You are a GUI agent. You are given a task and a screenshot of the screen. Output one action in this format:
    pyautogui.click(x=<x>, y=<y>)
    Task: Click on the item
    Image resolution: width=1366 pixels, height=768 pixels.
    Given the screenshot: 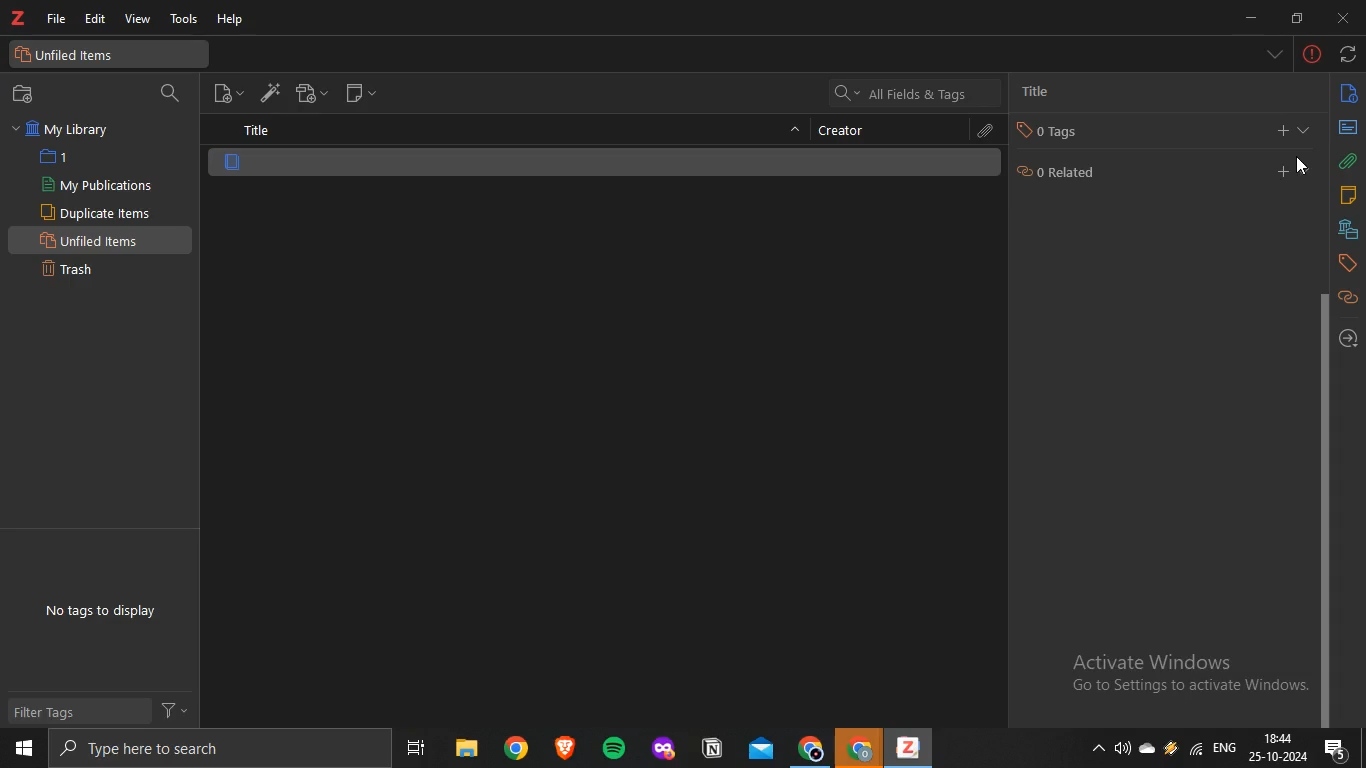 What is the action you would take?
    pyautogui.click(x=605, y=166)
    